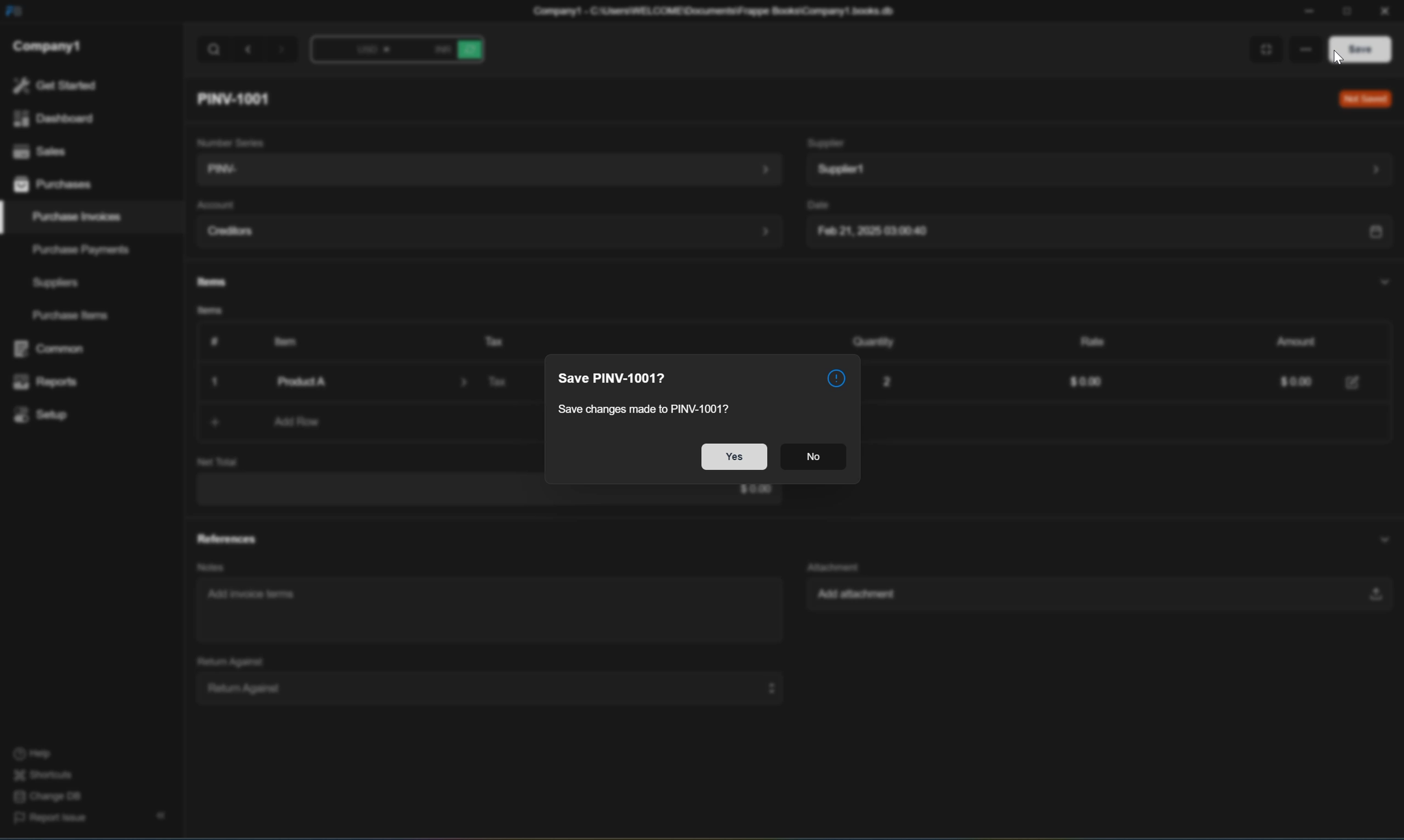 The image size is (1404, 840). Describe the element at coordinates (357, 52) in the screenshot. I see `Button` at that location.